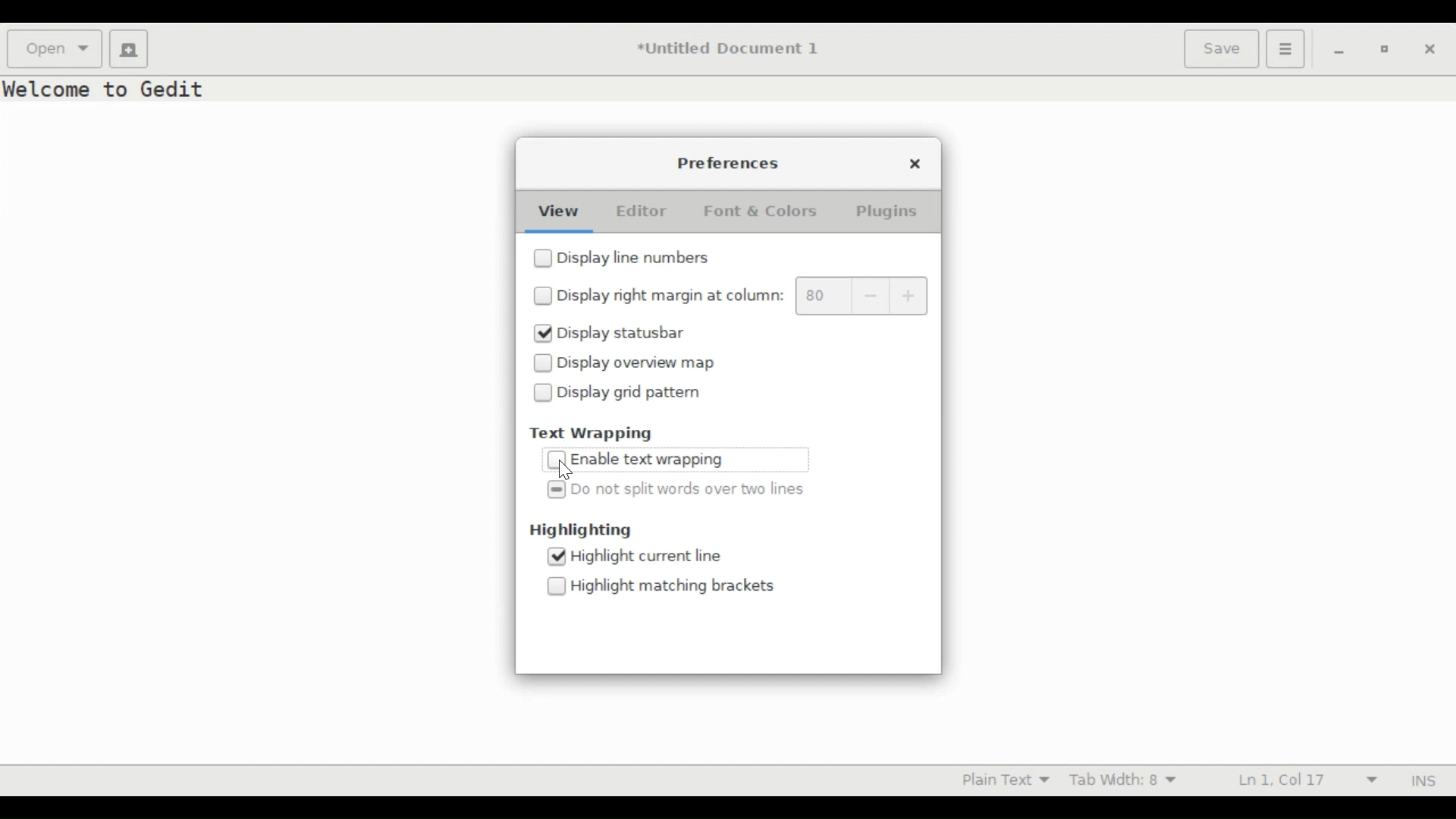 Image resolution: width=1456 pixels, height=819 pixels. Describe the element at coordinates (566, 472) in the screenshot. I see `cursor` at that location.